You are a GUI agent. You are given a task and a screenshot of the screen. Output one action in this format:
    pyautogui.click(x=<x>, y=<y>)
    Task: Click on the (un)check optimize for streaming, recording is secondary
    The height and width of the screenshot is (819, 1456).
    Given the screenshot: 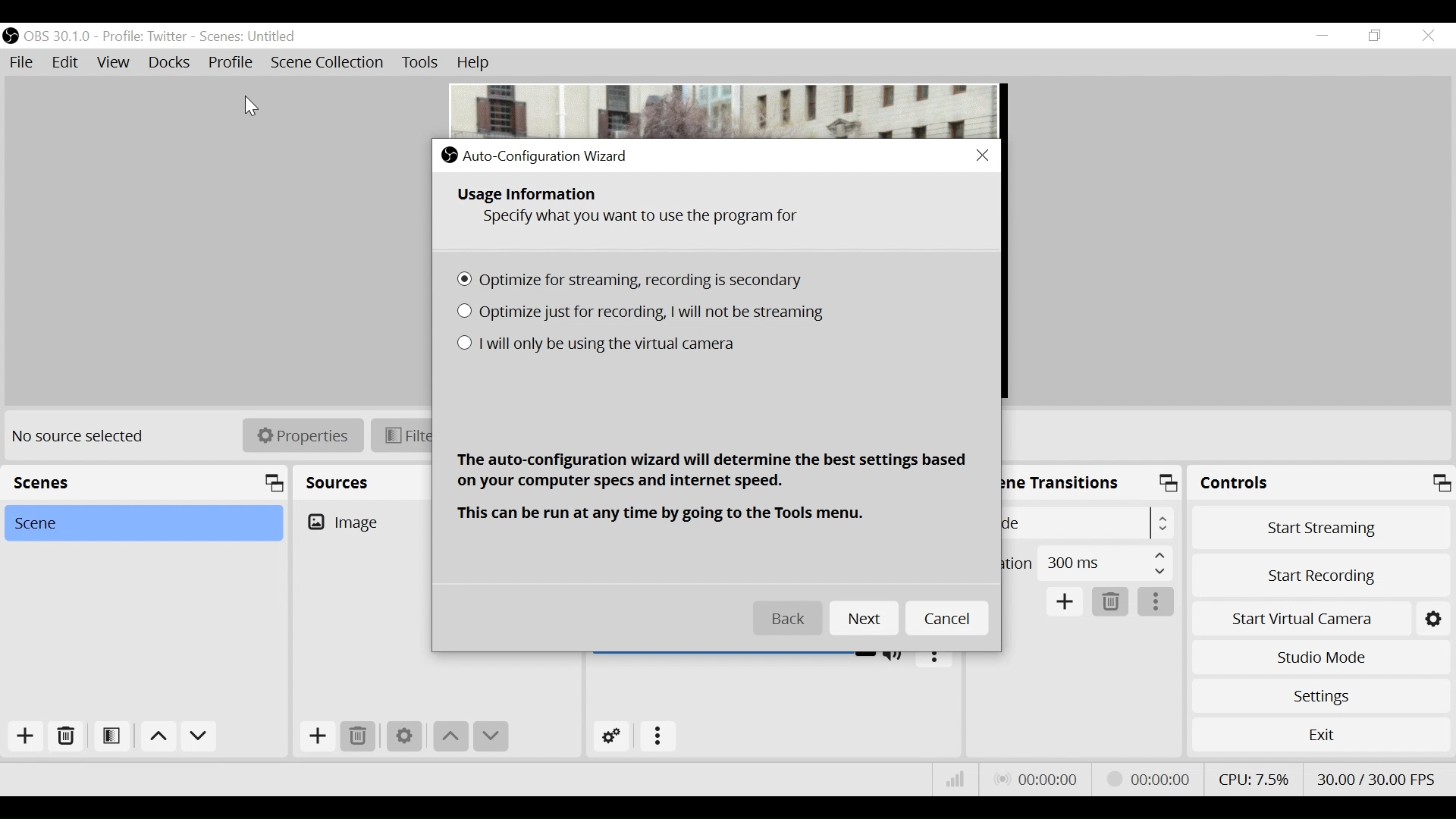 What is the action you would take?
    pyautogui.click(x=636, y=281)
    